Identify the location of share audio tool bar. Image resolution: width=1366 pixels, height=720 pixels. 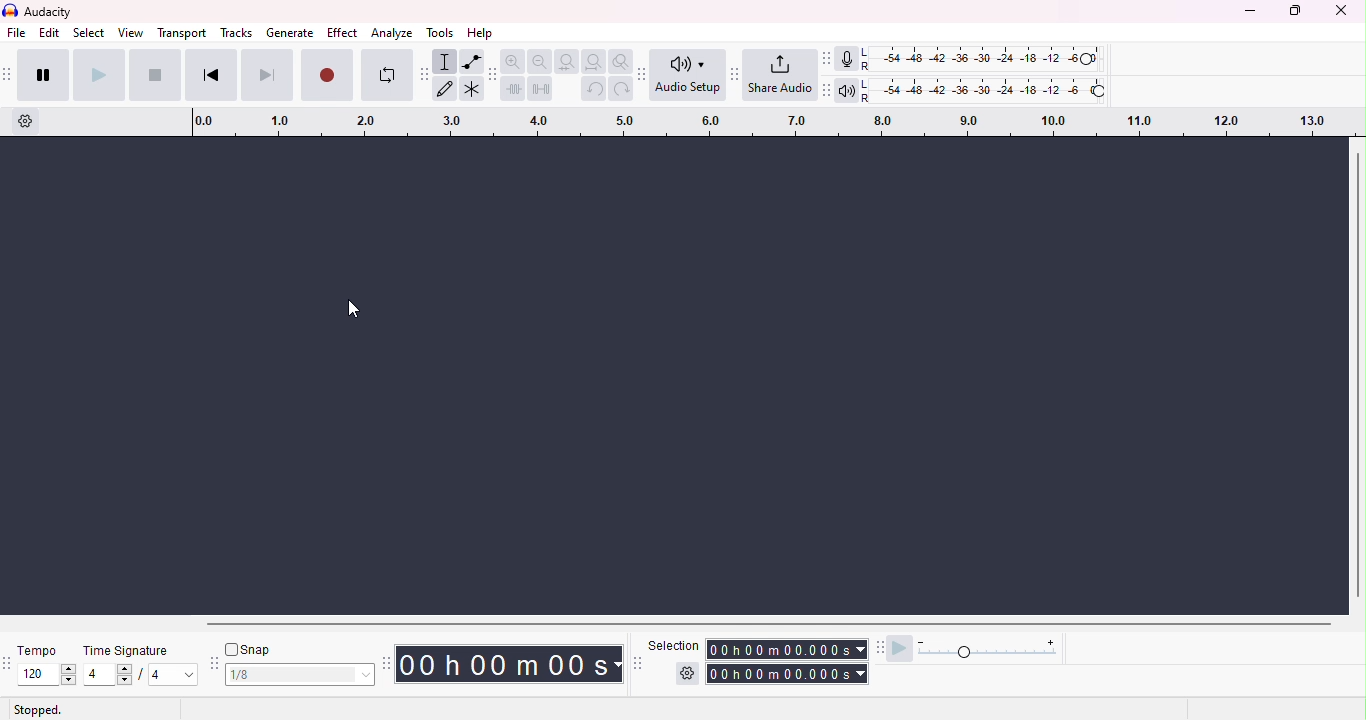
(733, 74).